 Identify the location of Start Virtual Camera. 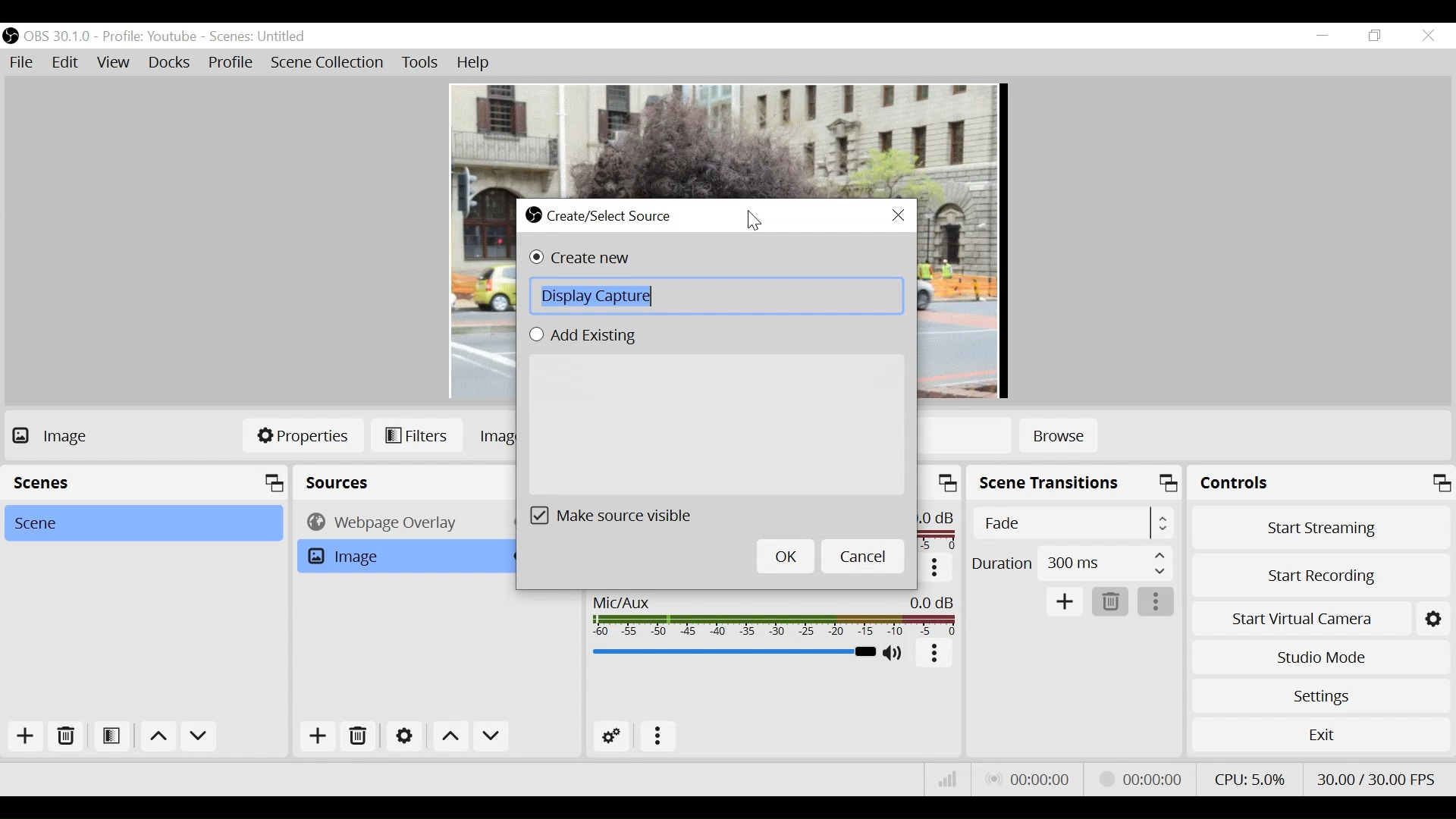
(1300, 620).